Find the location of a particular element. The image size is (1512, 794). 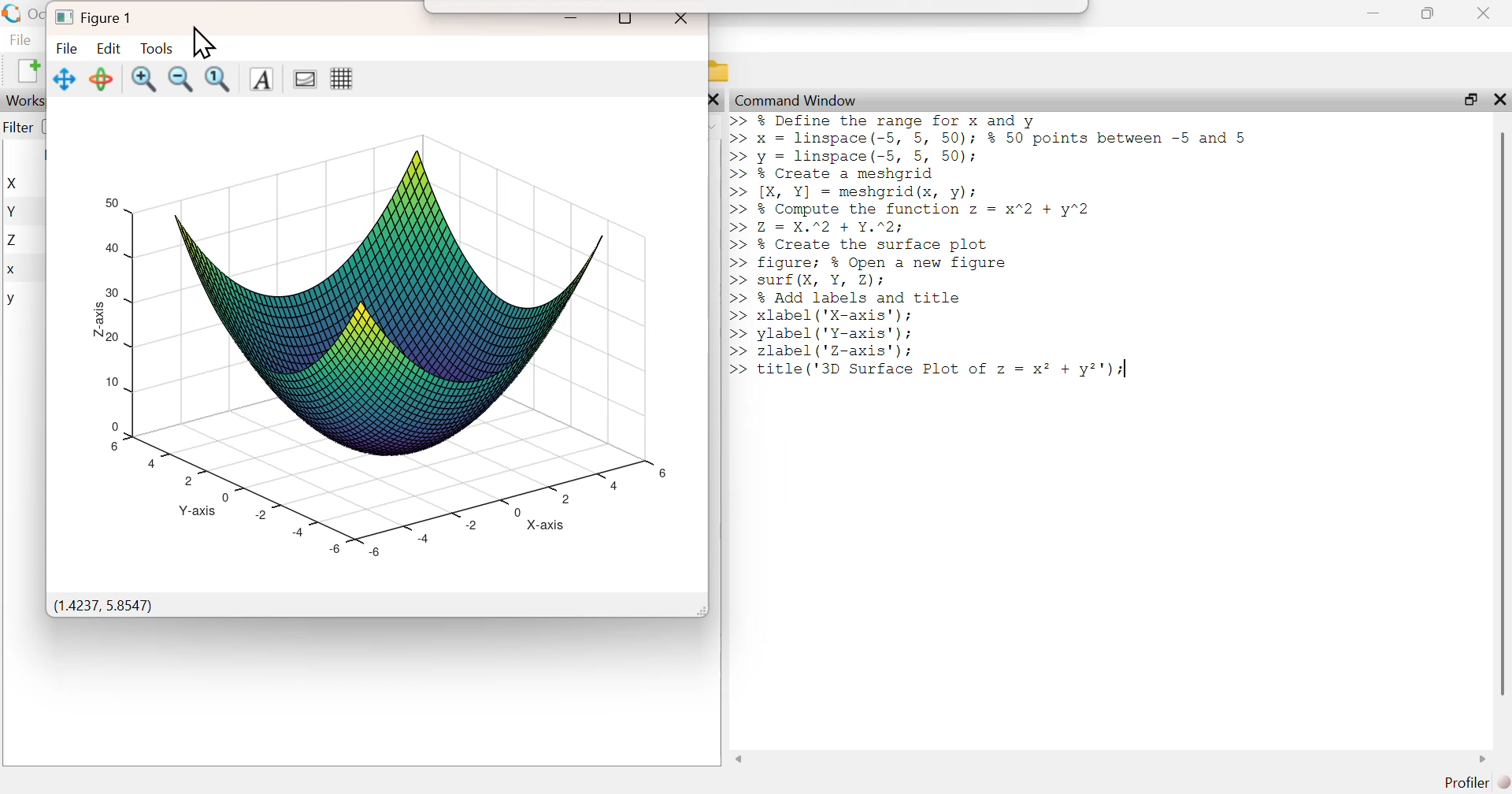

close is located at coordinates (1498, 98).